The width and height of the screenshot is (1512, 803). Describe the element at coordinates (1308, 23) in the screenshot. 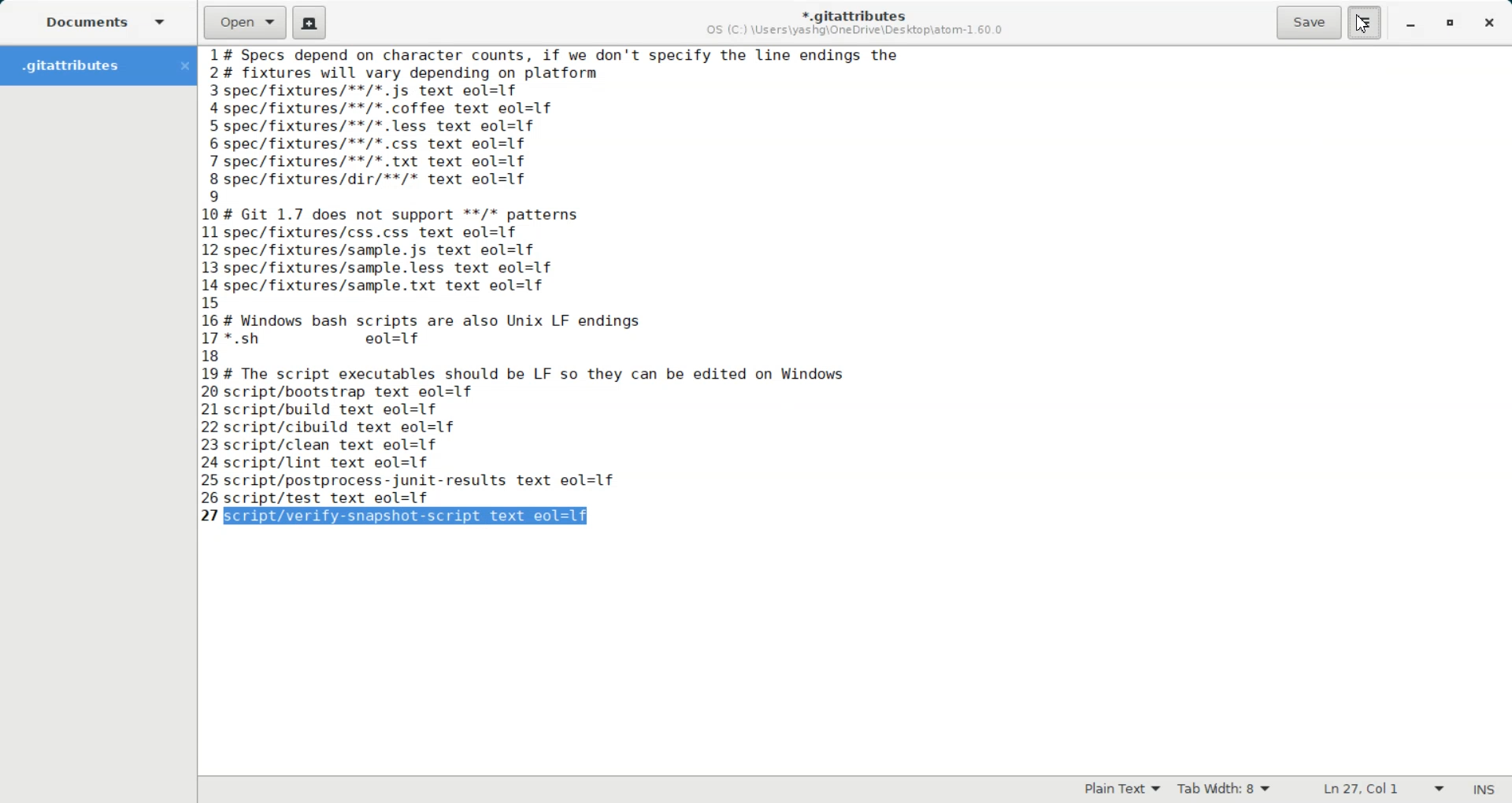

I see `Save` at that location.